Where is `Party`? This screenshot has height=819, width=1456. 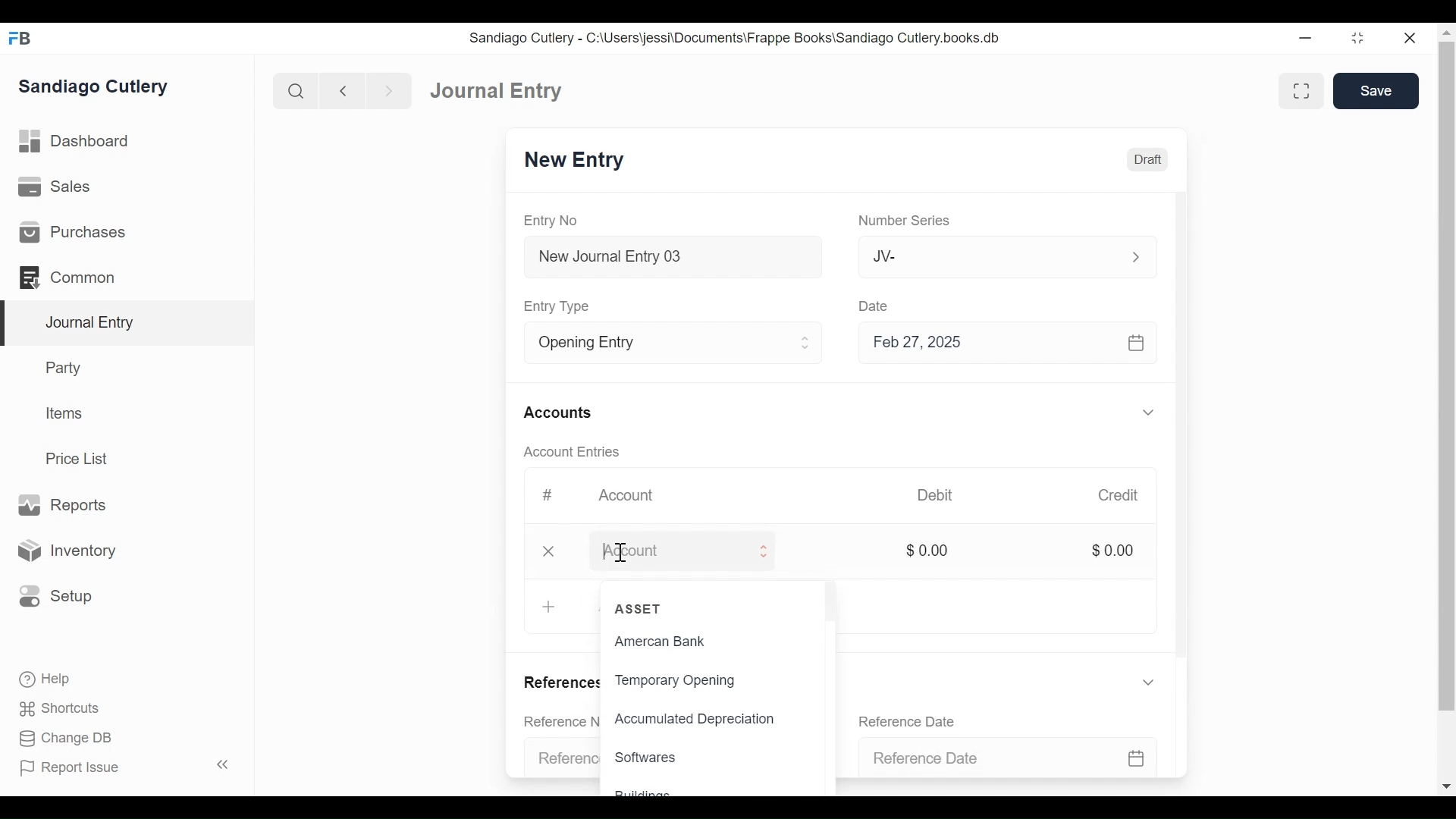 Party is located at coordinates (66, 367).